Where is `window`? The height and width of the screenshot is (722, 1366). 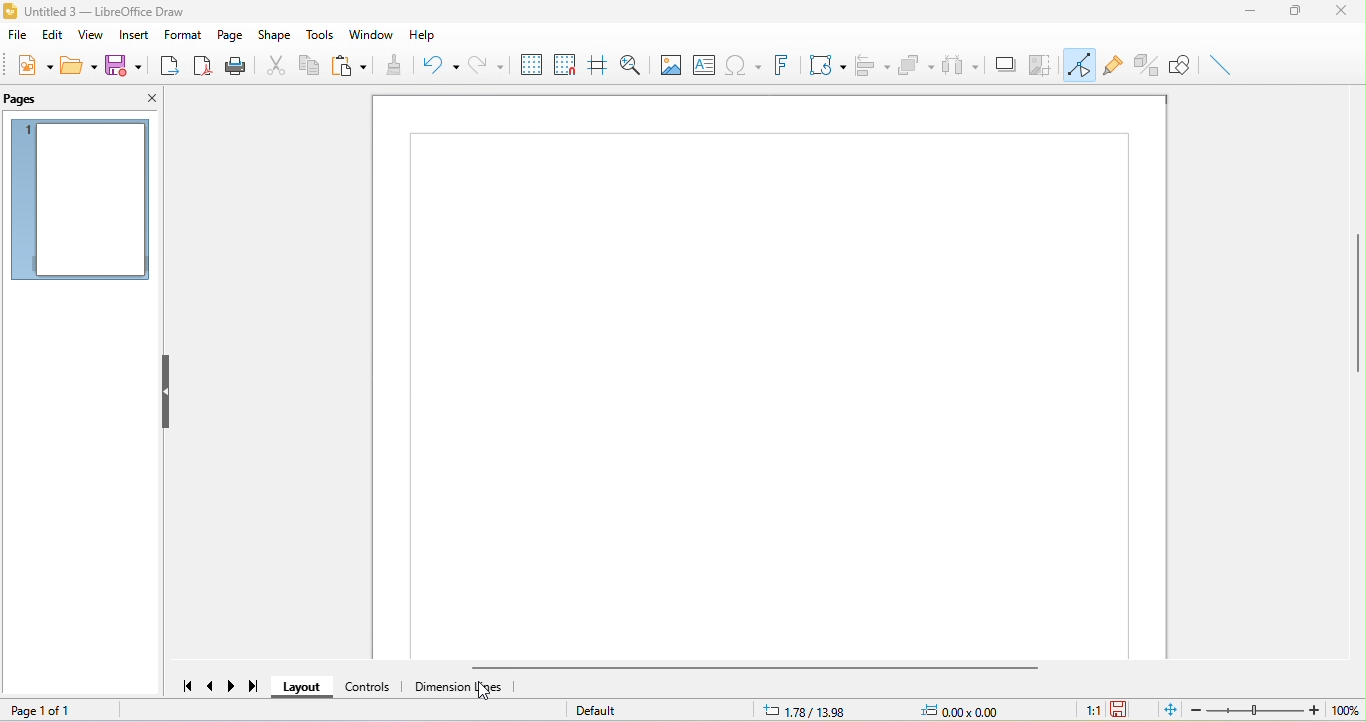
window is located at coordinates (374, 34).